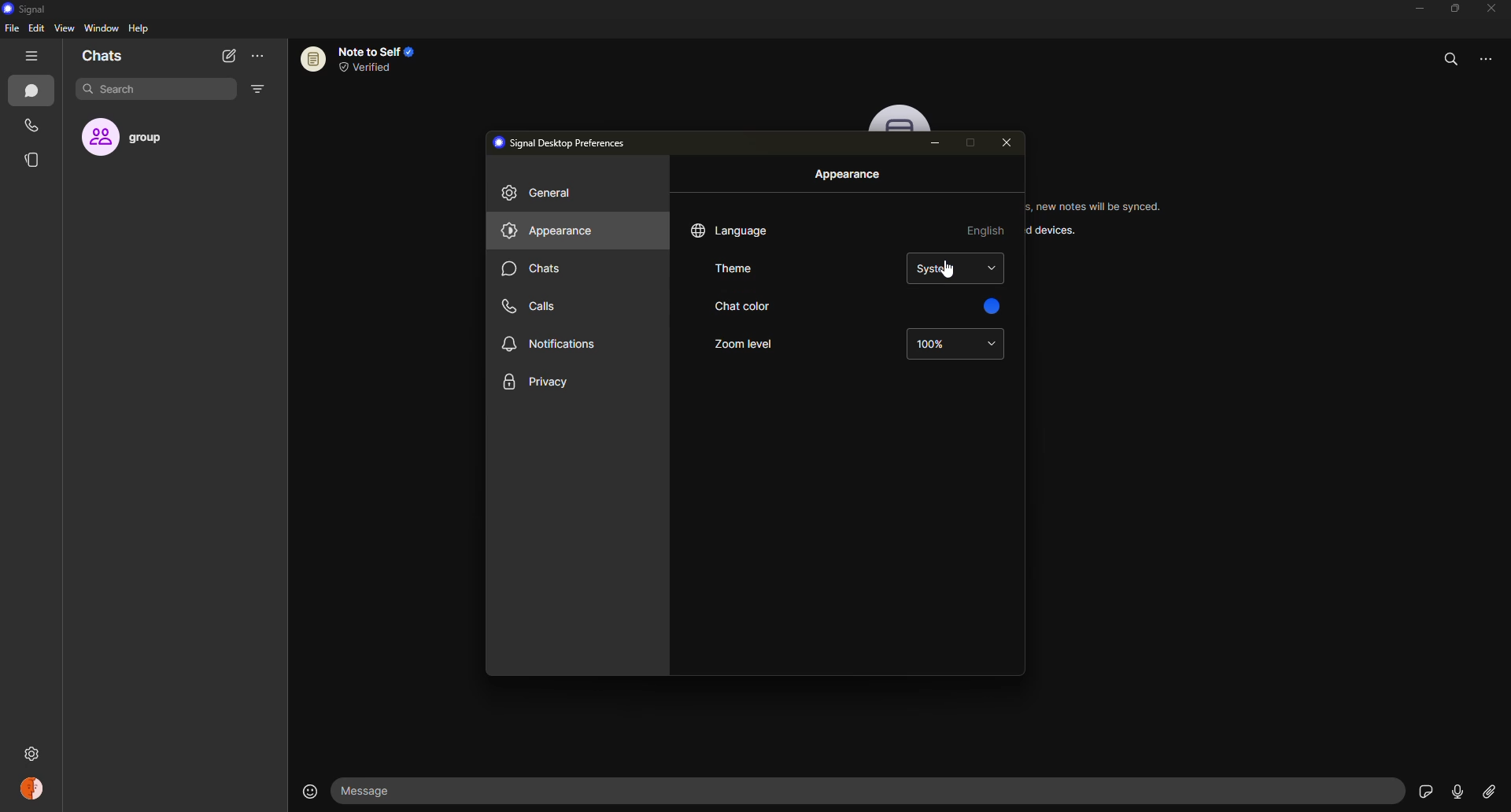 This screenshot has width=1511, height=812. What do you see at coordinates (742, 343) in the screenshot?
I see `zoom level` at bounding box center [742, 343].